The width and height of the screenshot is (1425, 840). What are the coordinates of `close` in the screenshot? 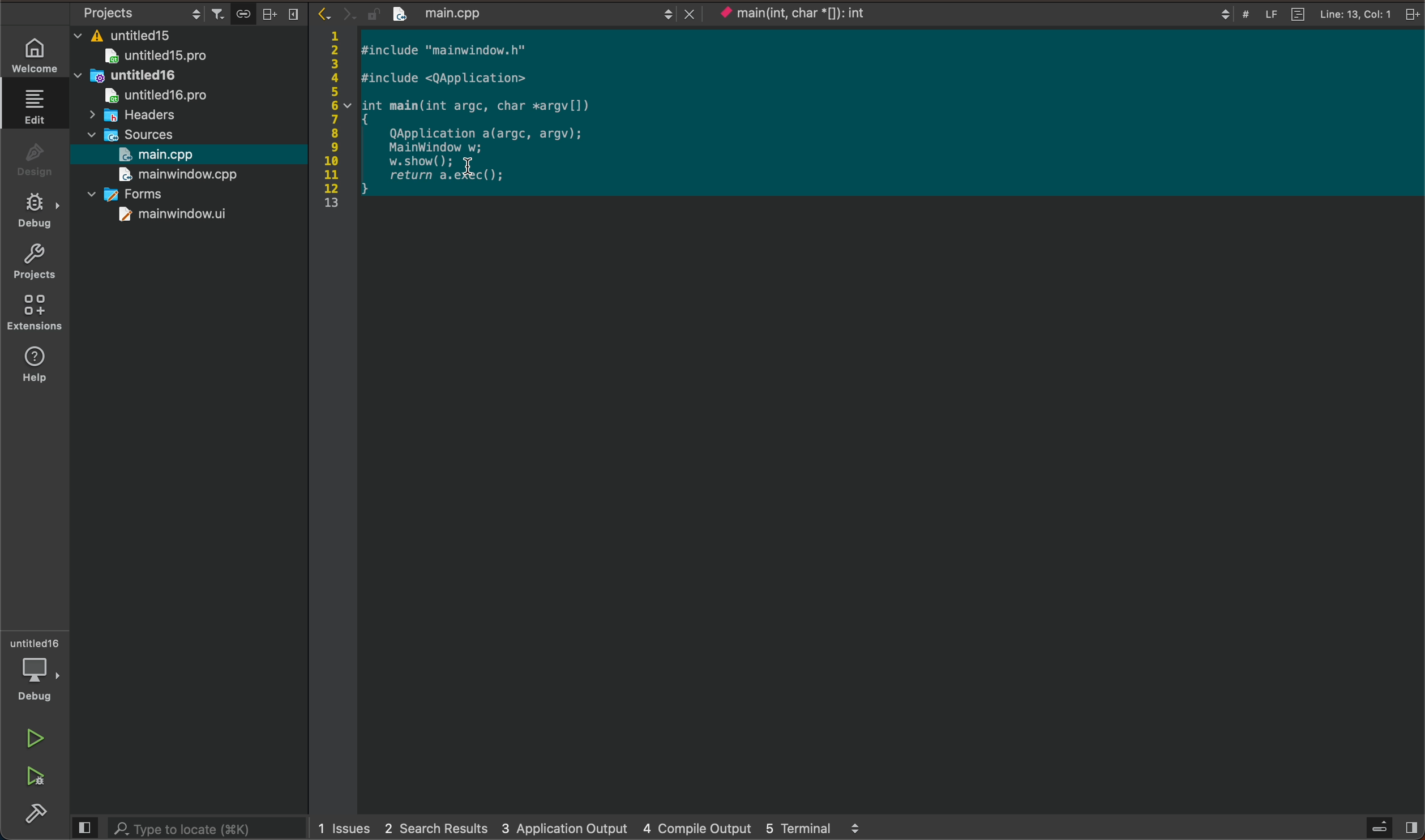 It's located at (1409, 14).